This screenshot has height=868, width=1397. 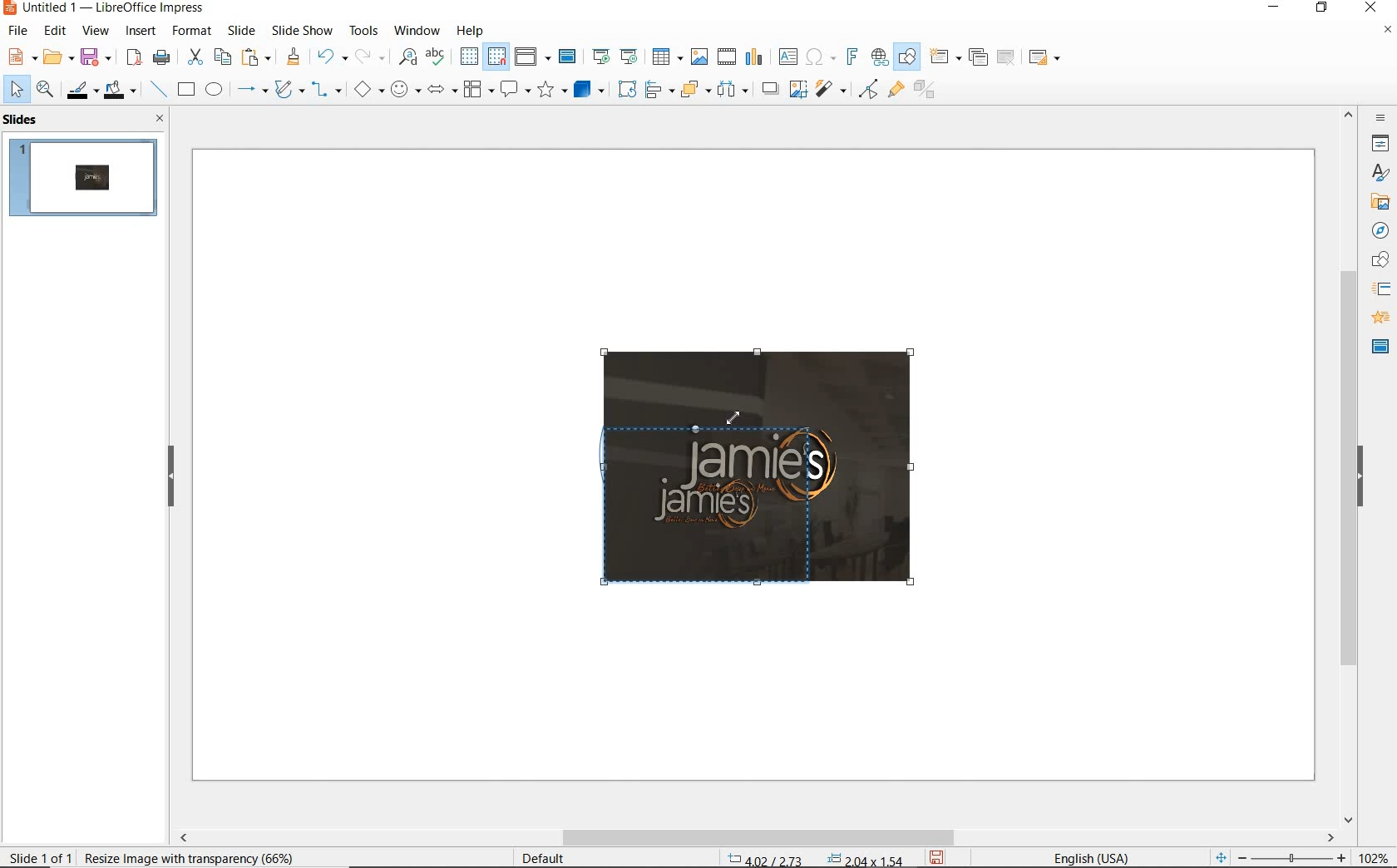 What do you see at coordinates (665, 57) in the screenshot?
I see `insert table` at bounding box center [665, 57].